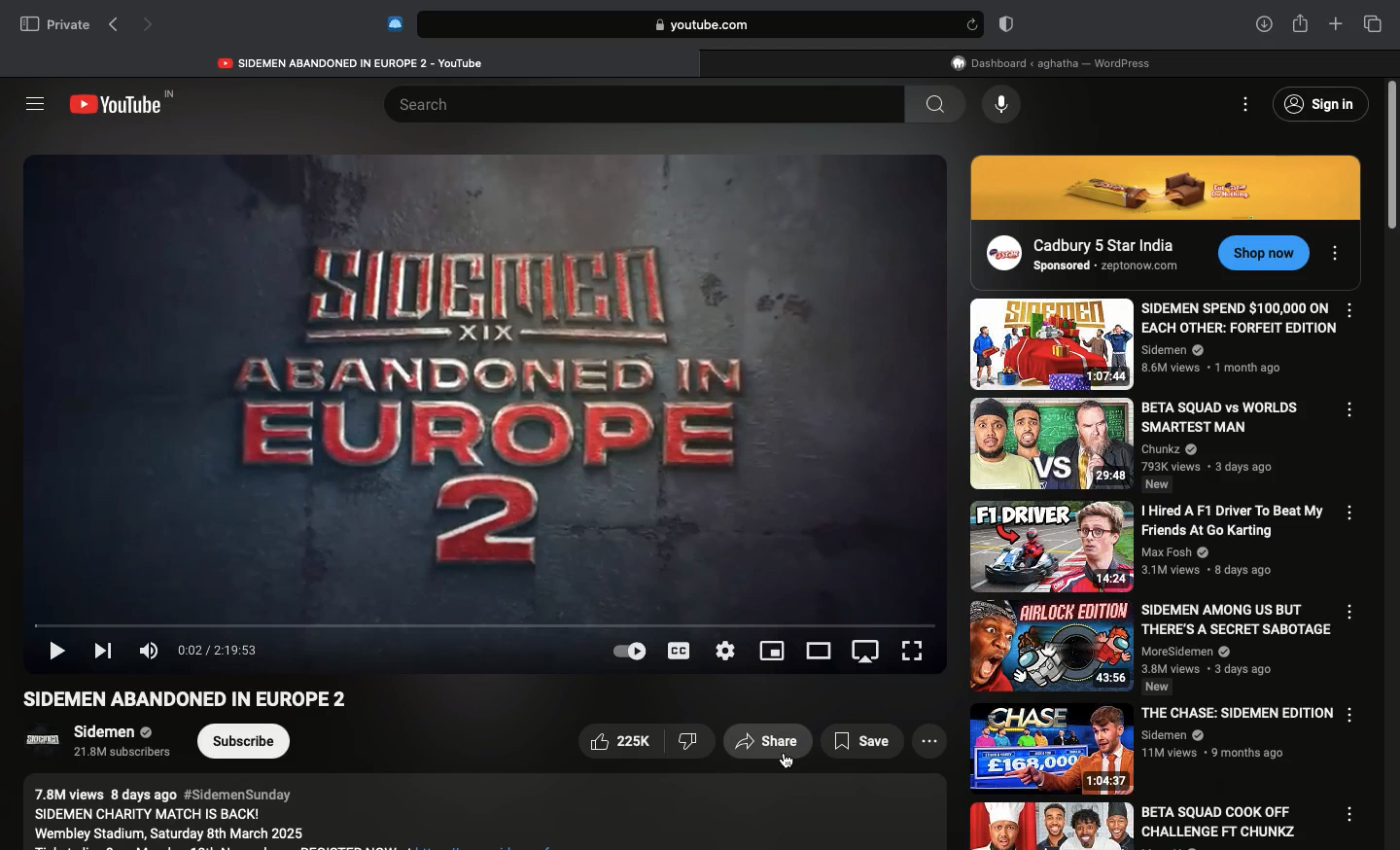 The image size is (1400, 850). Describe the element at coordinates (914, 651) in the screenshot. I see `Full screen` at that location.